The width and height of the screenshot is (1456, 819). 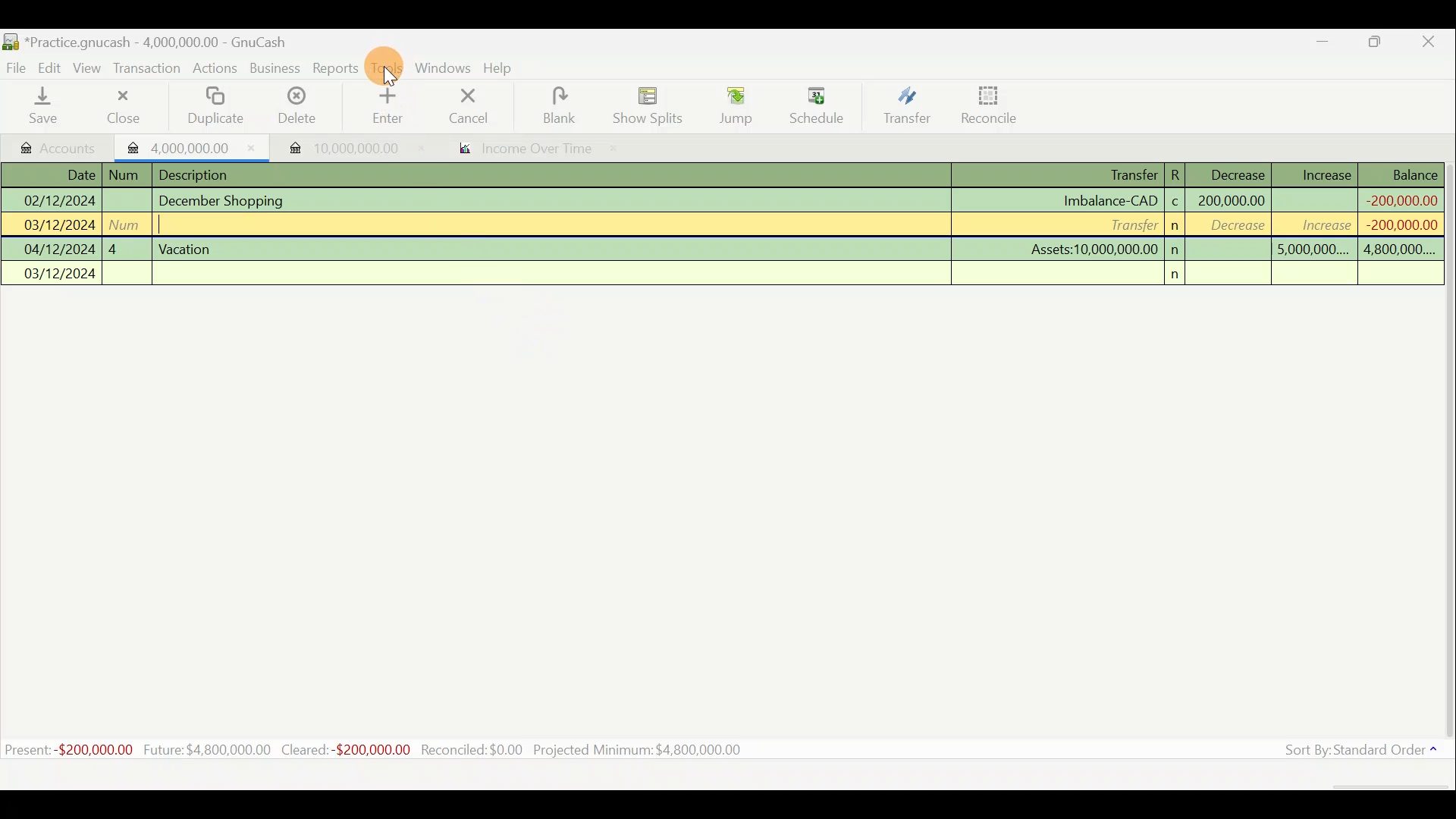 I want to click on Reports, so click(x=335, y=68).